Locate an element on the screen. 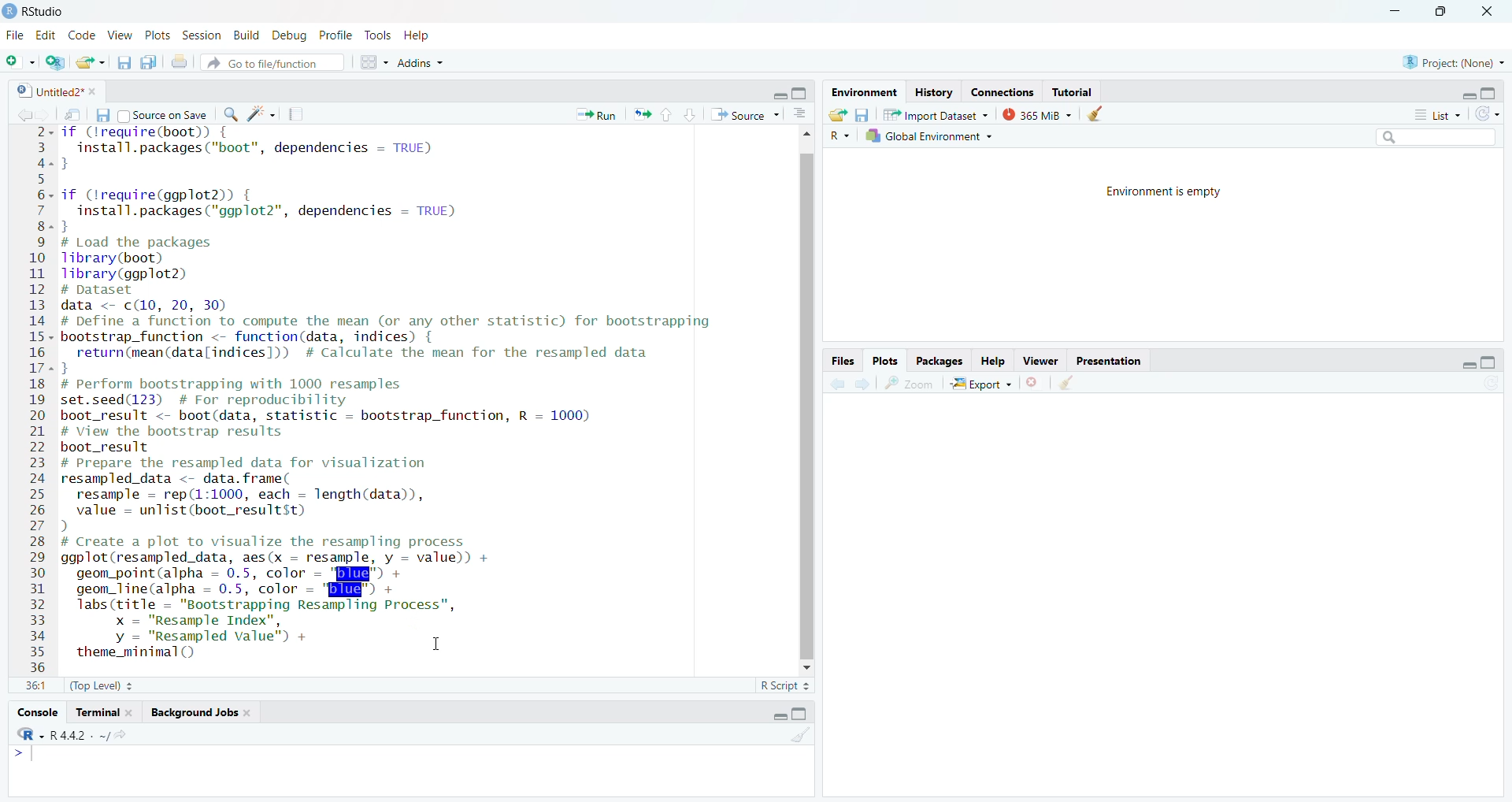 The width and height of the screenshot is (1512, 802). hide r script is located at coordinates (774, 96).